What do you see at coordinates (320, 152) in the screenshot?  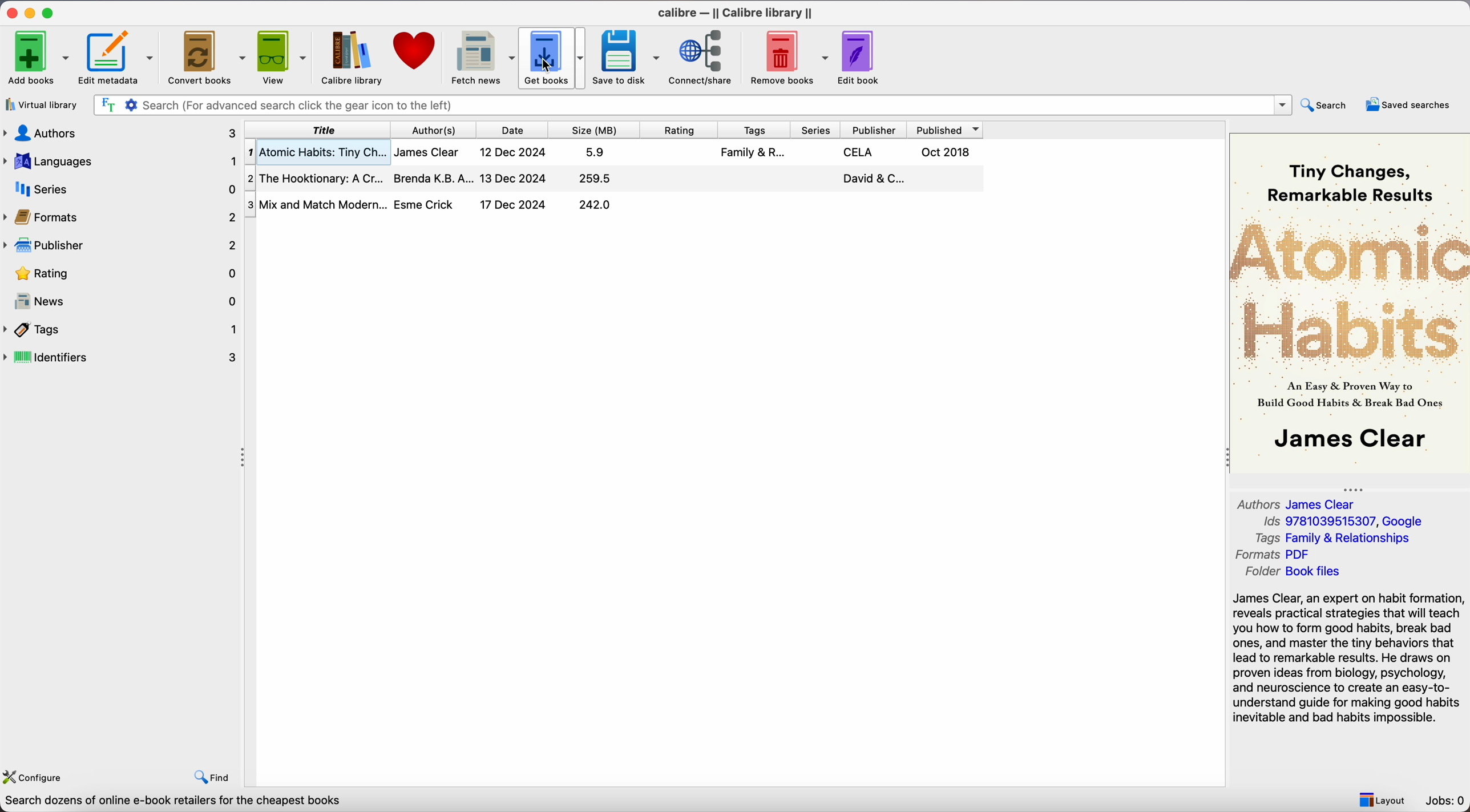 I see `Atomic Habits: Tiny Ch...` at bounding box center [320, 152].